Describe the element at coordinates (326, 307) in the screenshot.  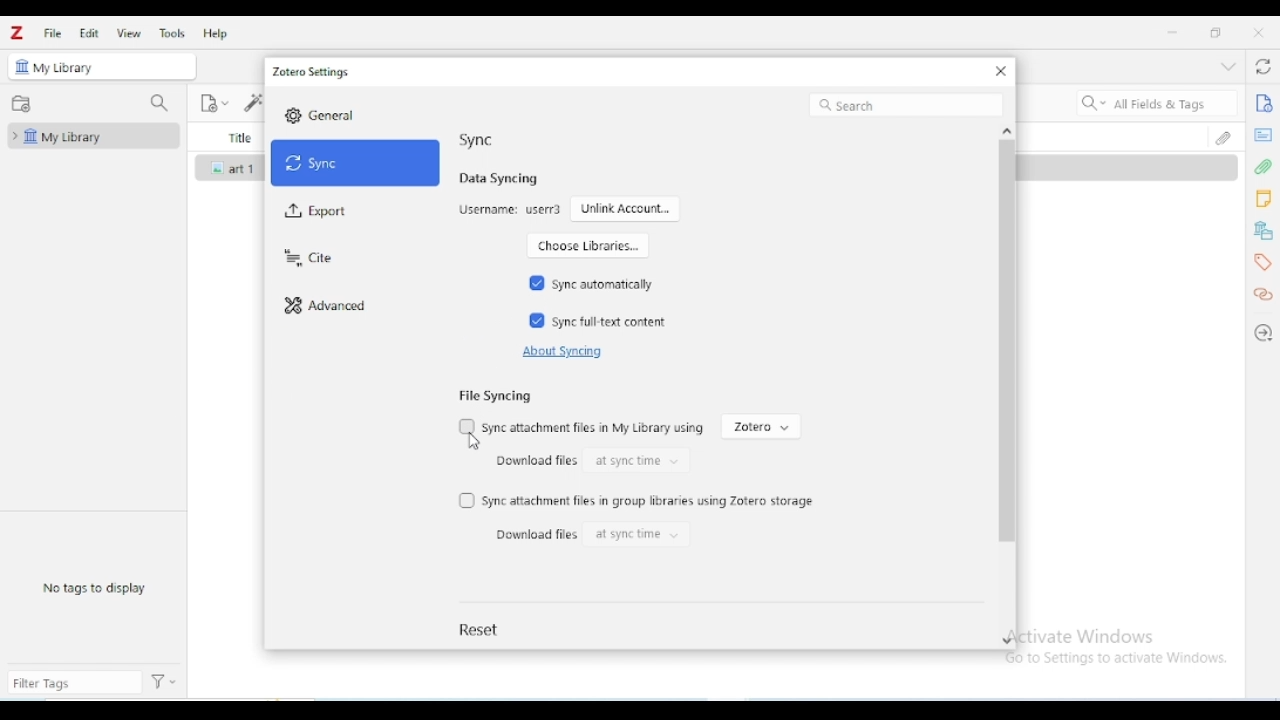
I see `advanced` at that location.